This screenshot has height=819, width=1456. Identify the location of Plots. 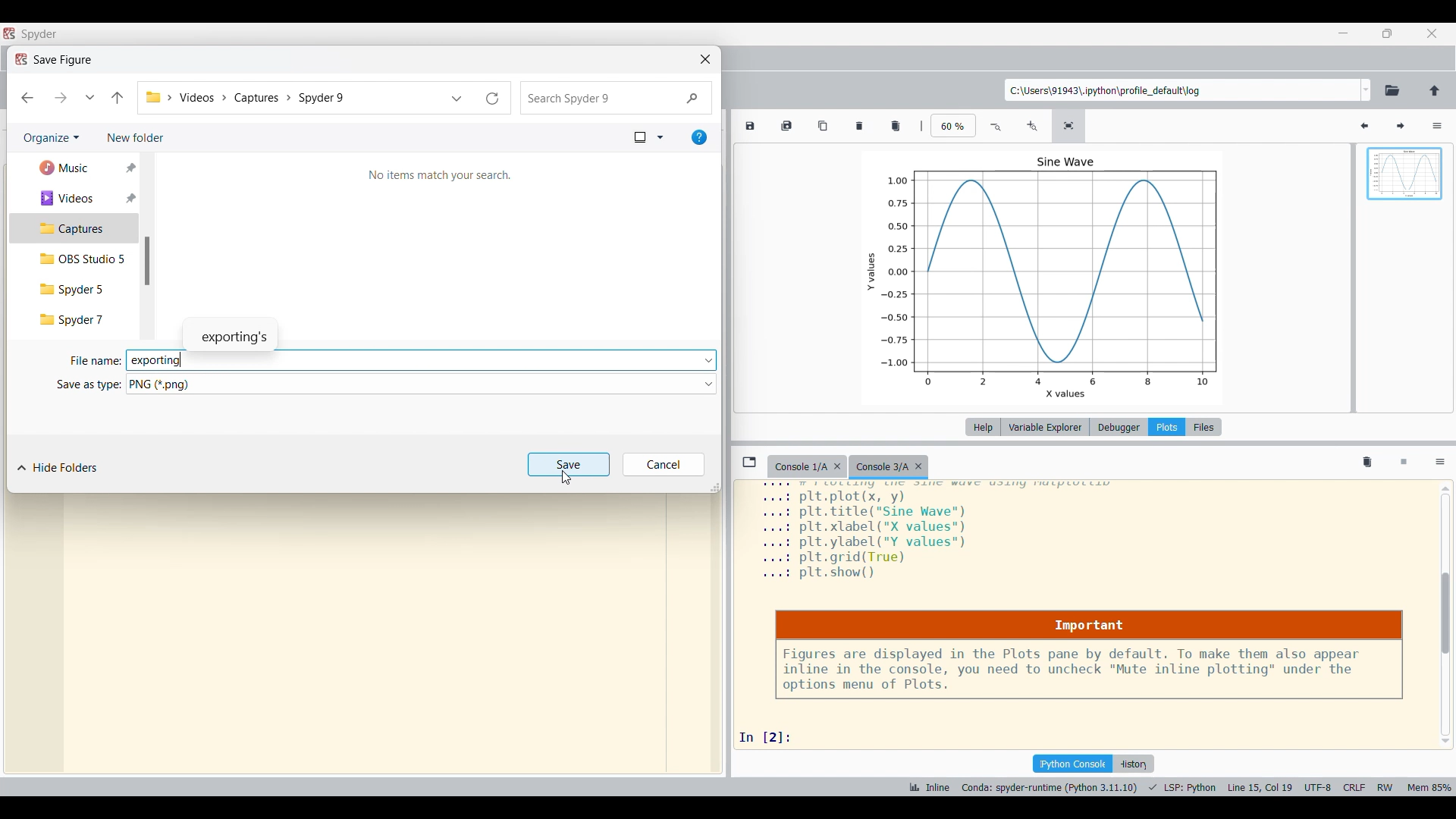
(1166, 427).